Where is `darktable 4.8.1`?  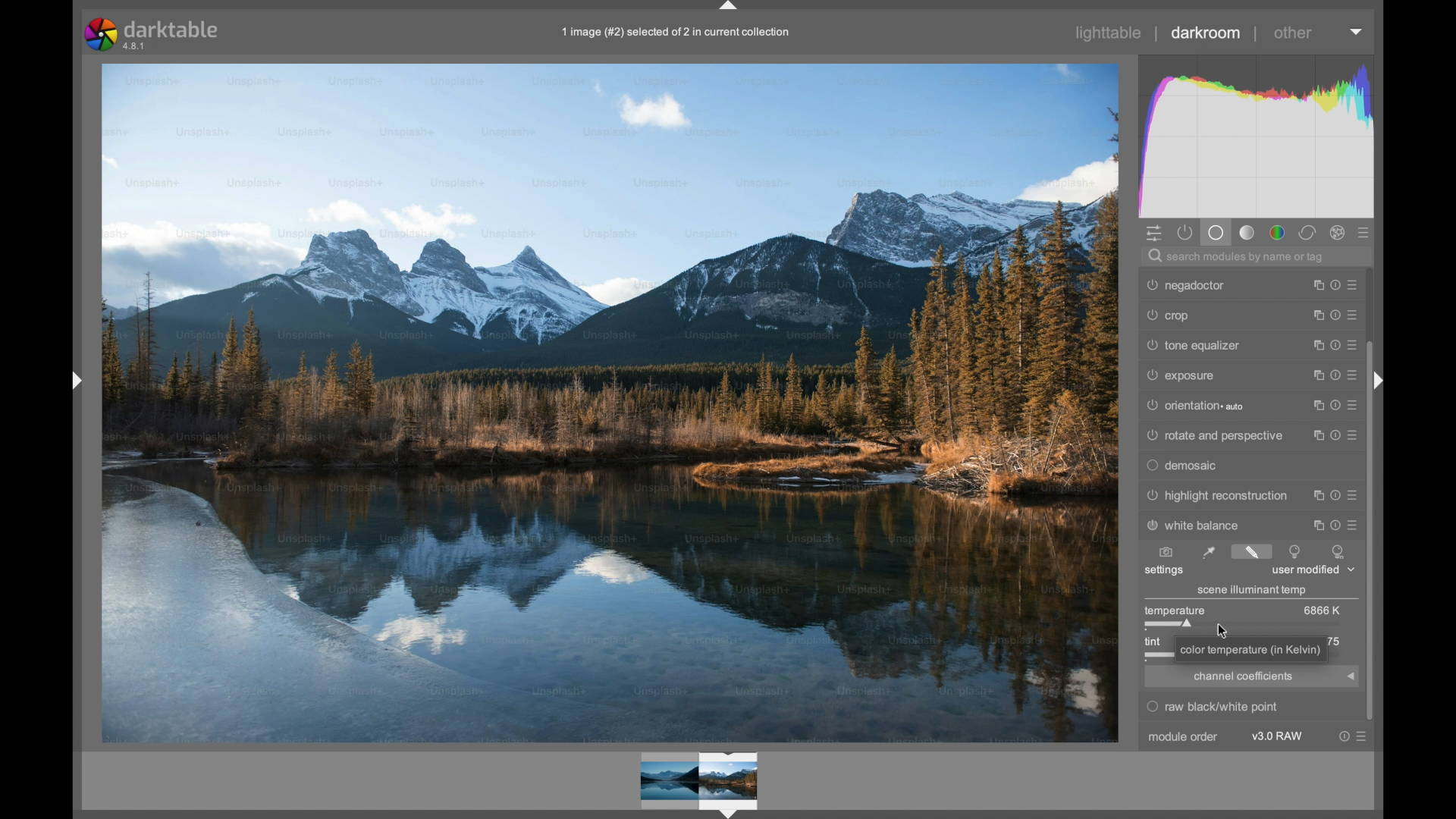
darktable 4.8.1 is located at coordinates (155, 34).